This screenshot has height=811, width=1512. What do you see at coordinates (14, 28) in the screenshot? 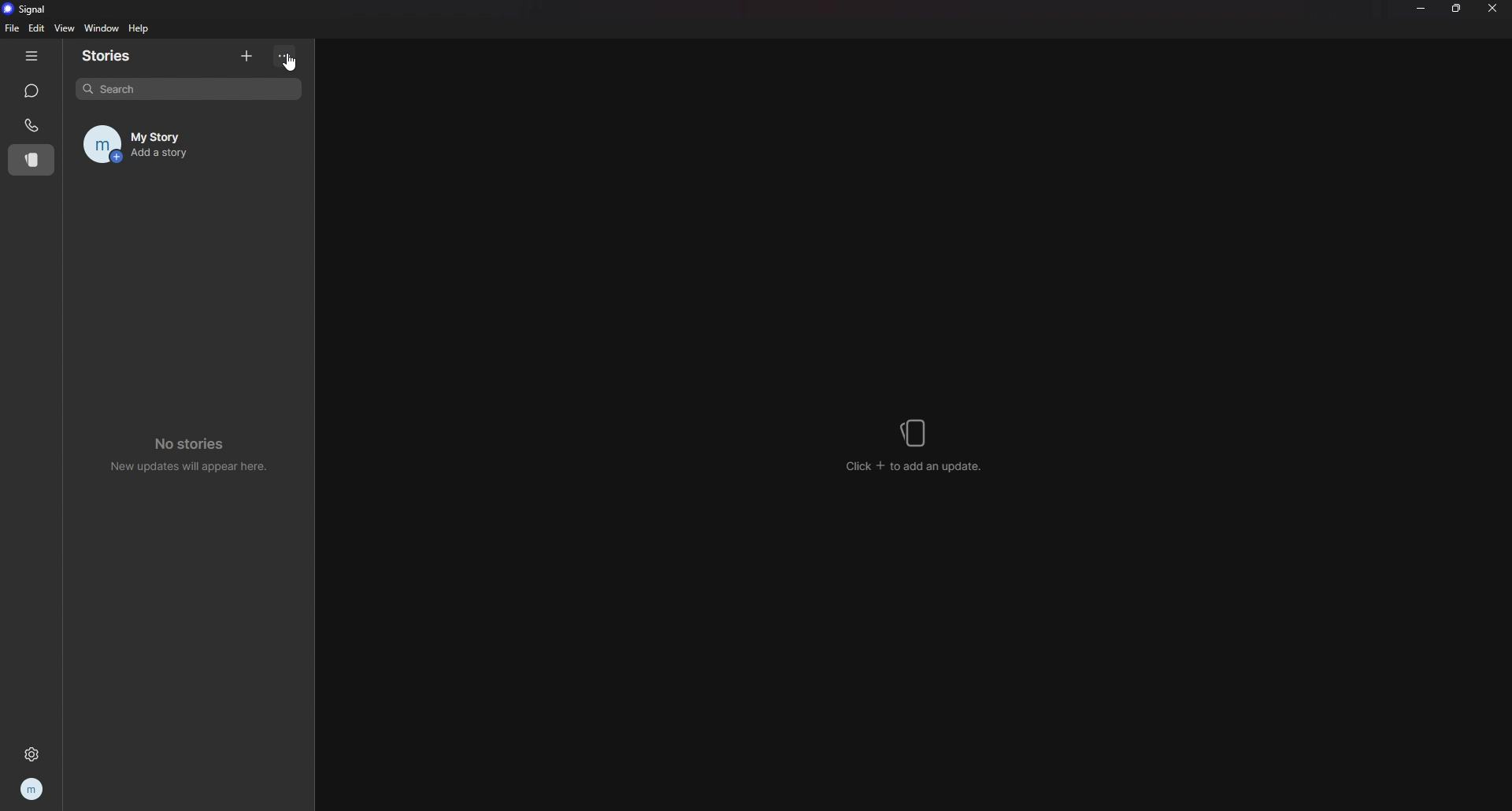
I see `file` at bounding box center [14, 28].